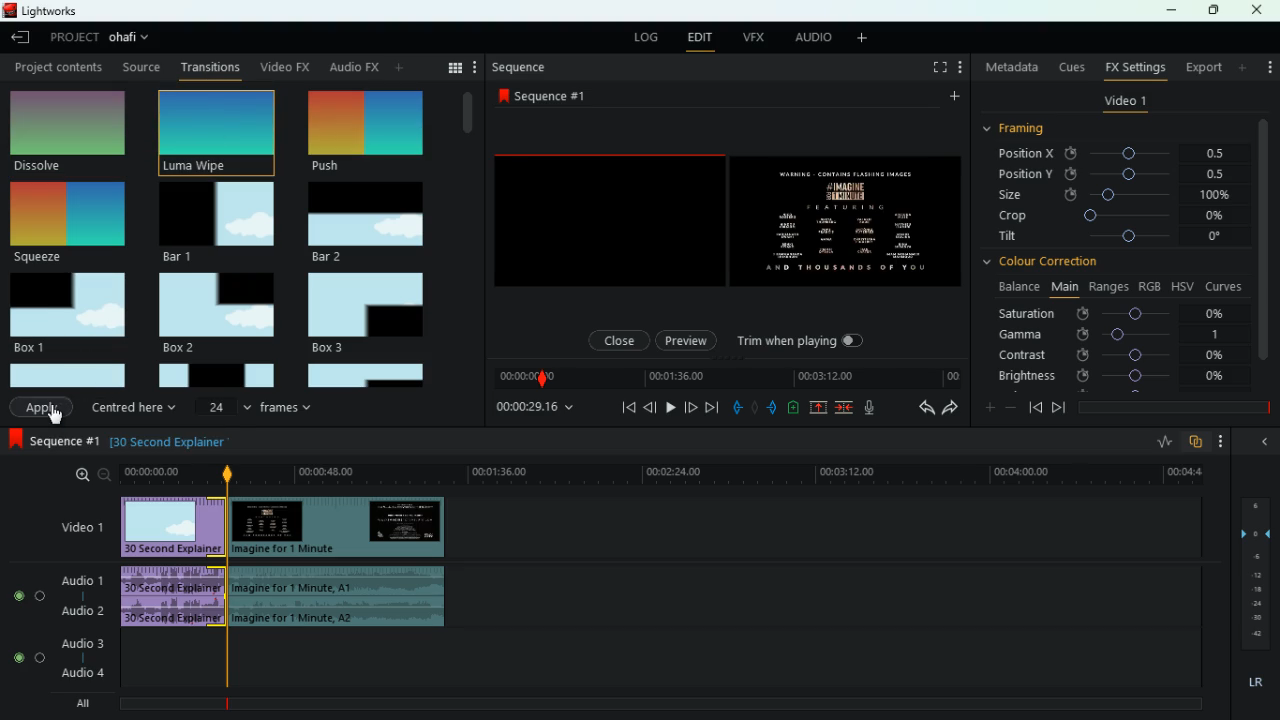 The image size is (1280, 720). I want to click on centered here, so click(137, 406).